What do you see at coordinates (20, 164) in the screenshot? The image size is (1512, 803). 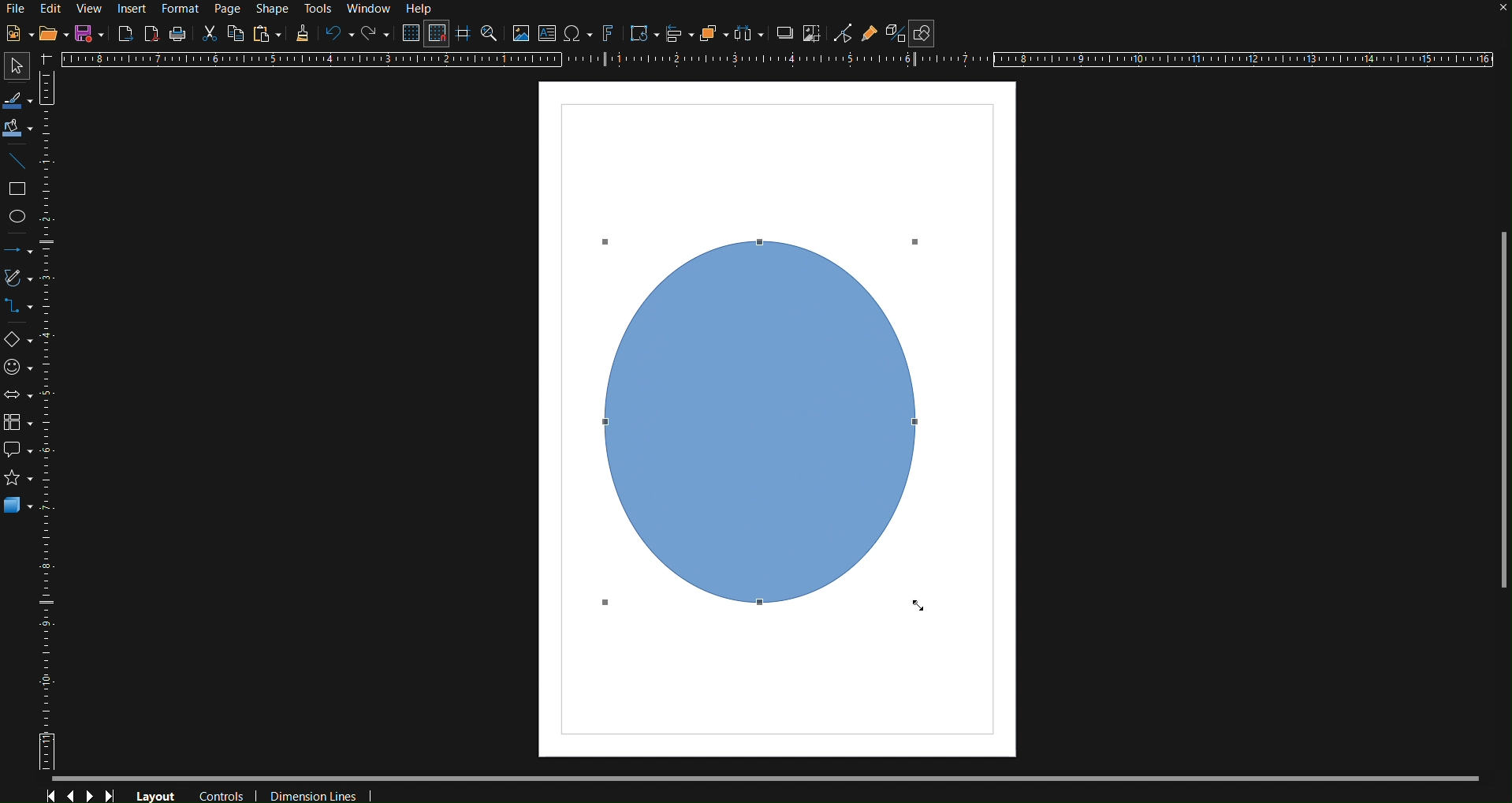 I see `Insert Line` at bounding box center [20, 164].